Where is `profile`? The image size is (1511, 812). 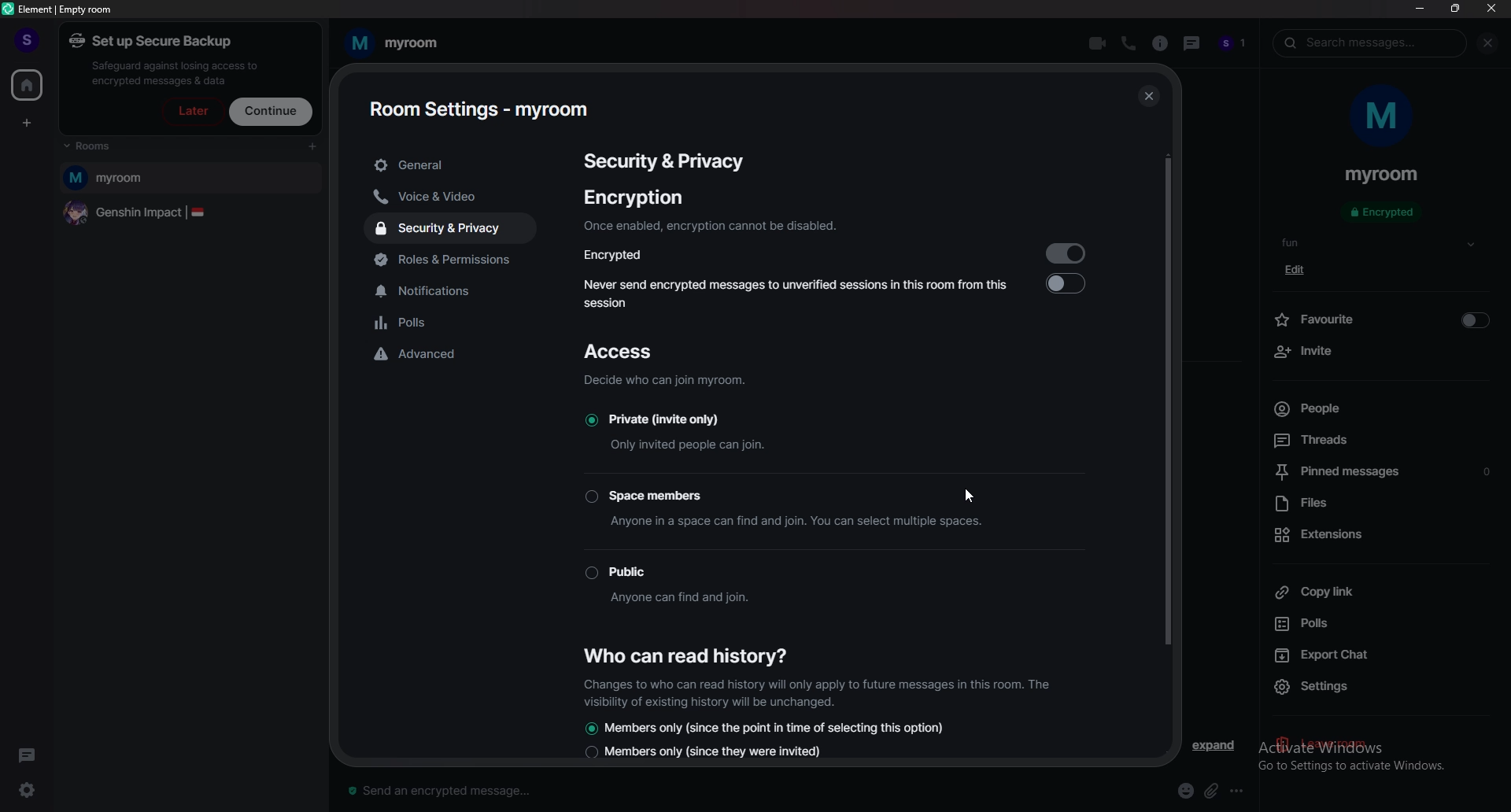
profile is located at coordinates (23, 35).